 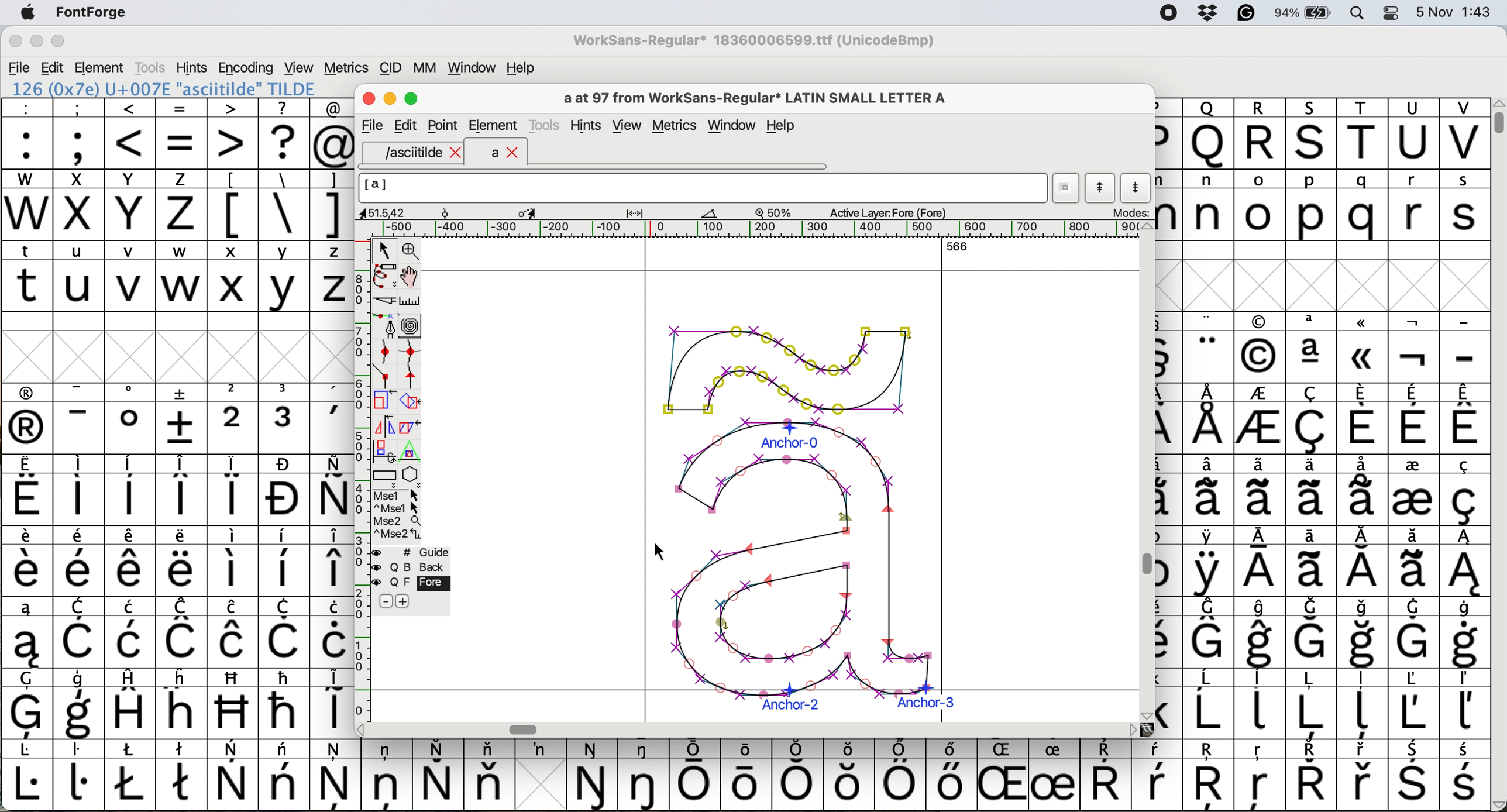 I want to click on w, so click(x=181, y=277).